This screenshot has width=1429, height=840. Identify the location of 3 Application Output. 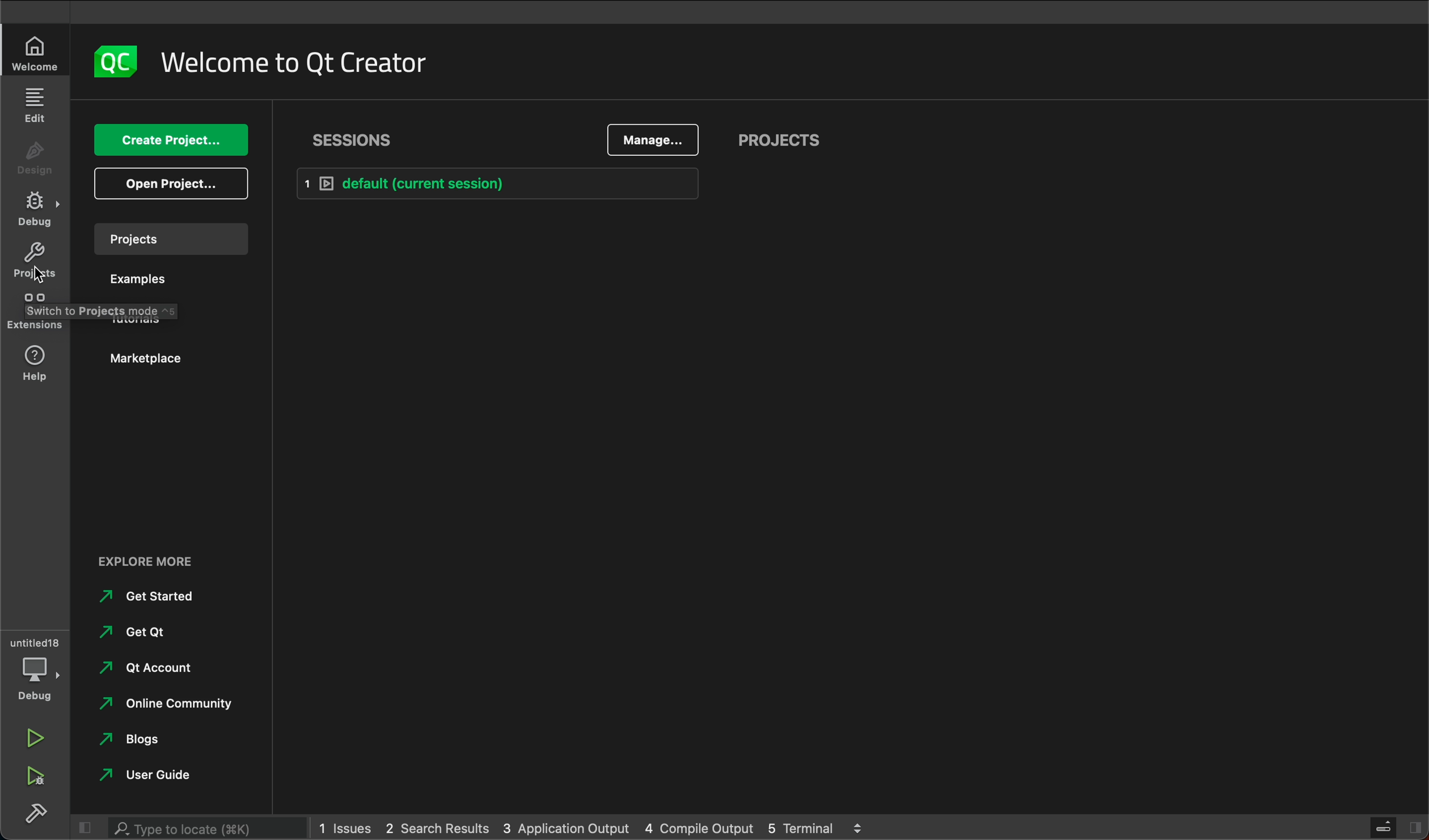
(566, 828).